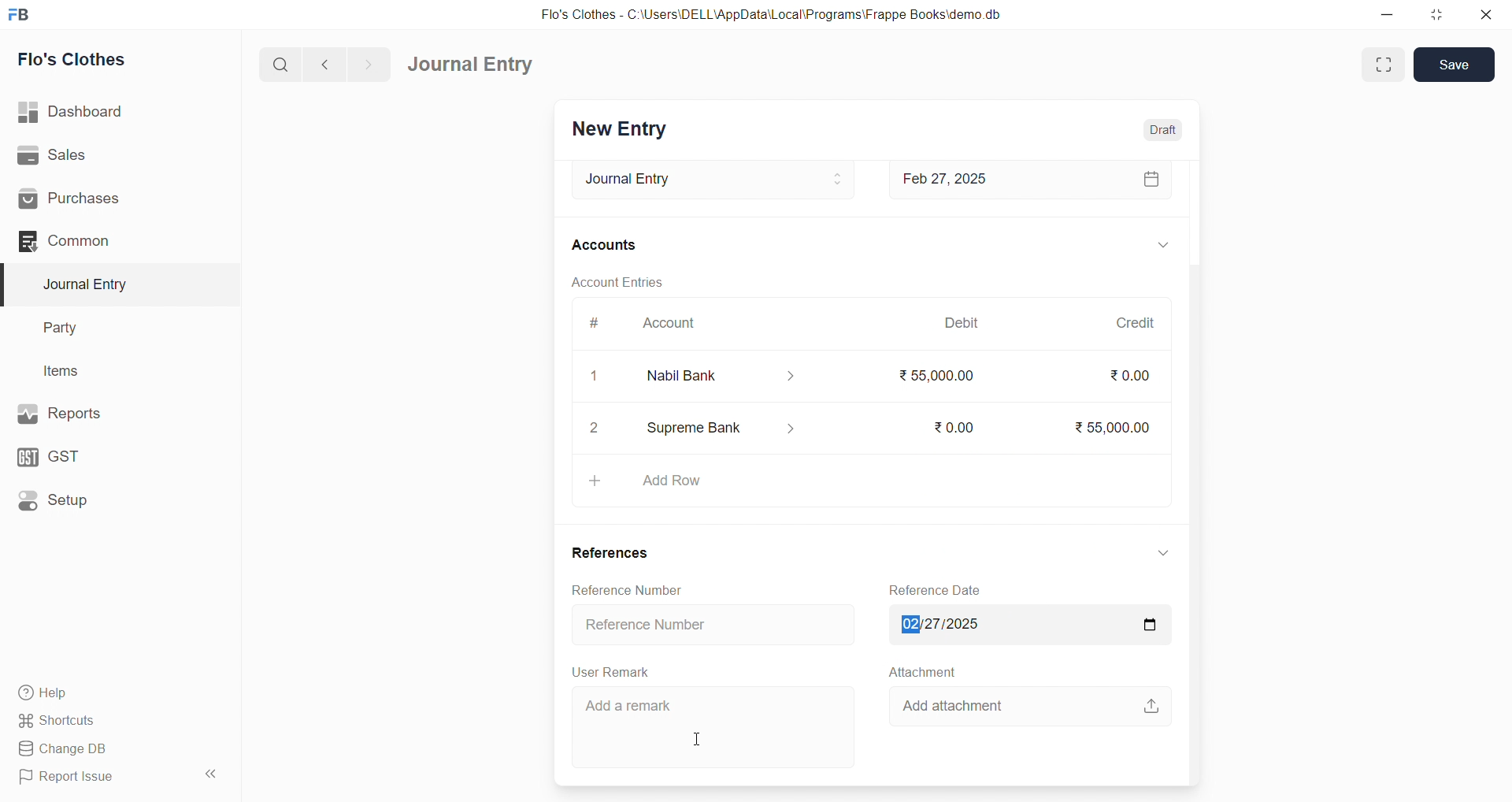  I want to click on EXPAND/COLLAPSE, so click(1164, 553).